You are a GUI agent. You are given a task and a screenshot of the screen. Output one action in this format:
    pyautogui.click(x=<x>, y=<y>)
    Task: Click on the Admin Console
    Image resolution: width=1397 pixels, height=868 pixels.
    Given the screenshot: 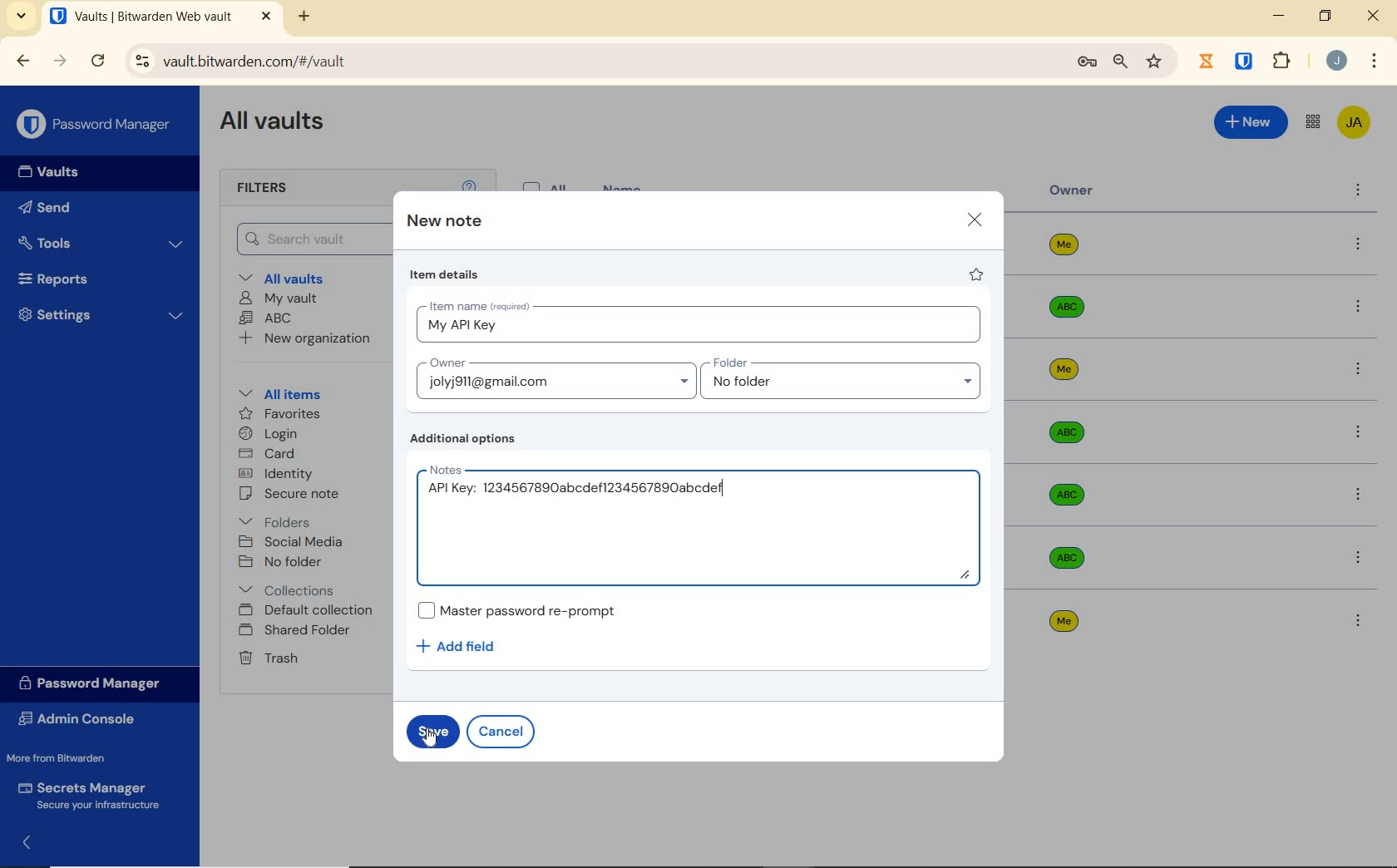 What is the action you would take?
    pyautogui.click(x=82, y=719)
    